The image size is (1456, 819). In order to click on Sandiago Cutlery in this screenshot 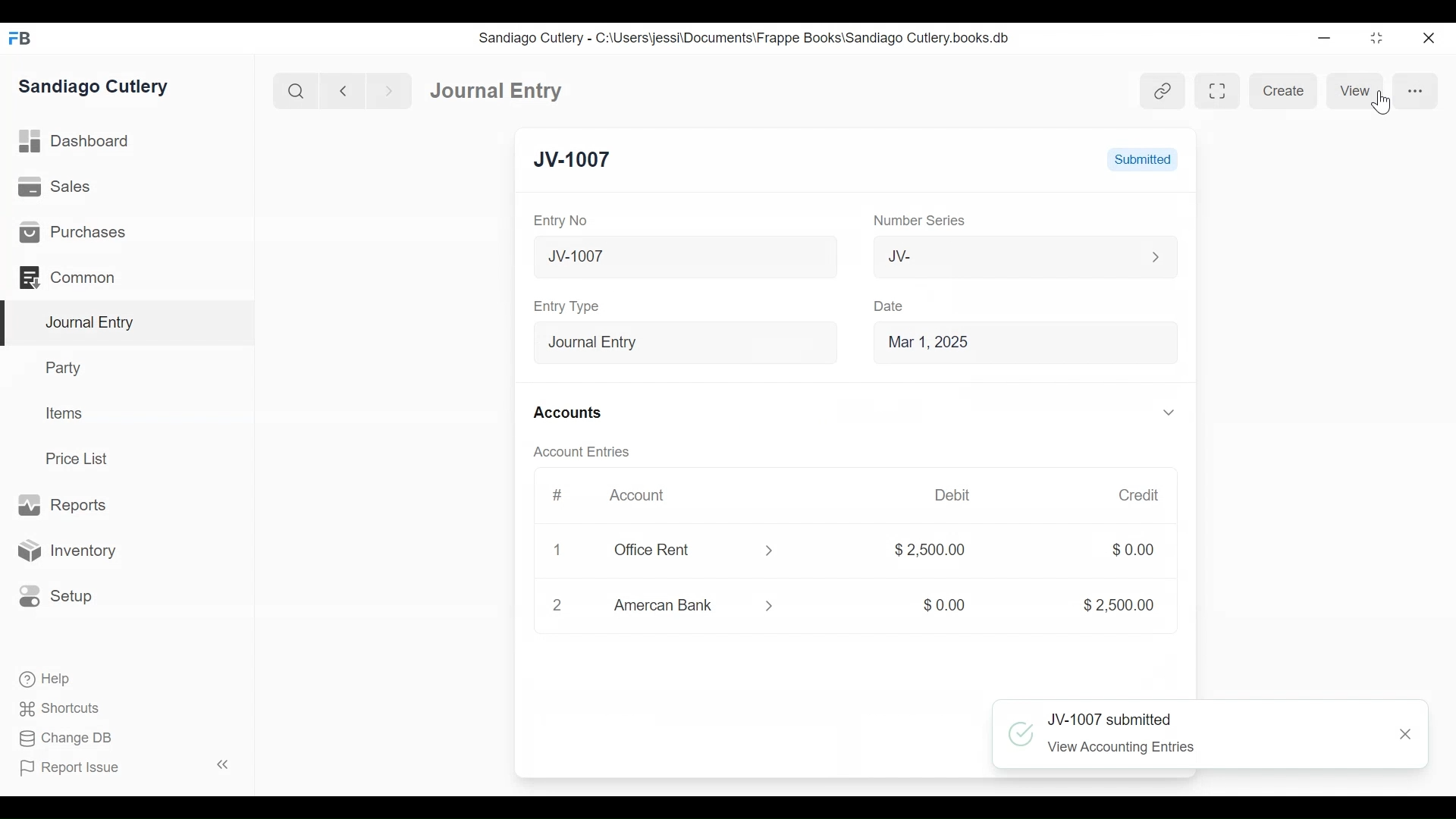, I will do `click(102, 88)`.